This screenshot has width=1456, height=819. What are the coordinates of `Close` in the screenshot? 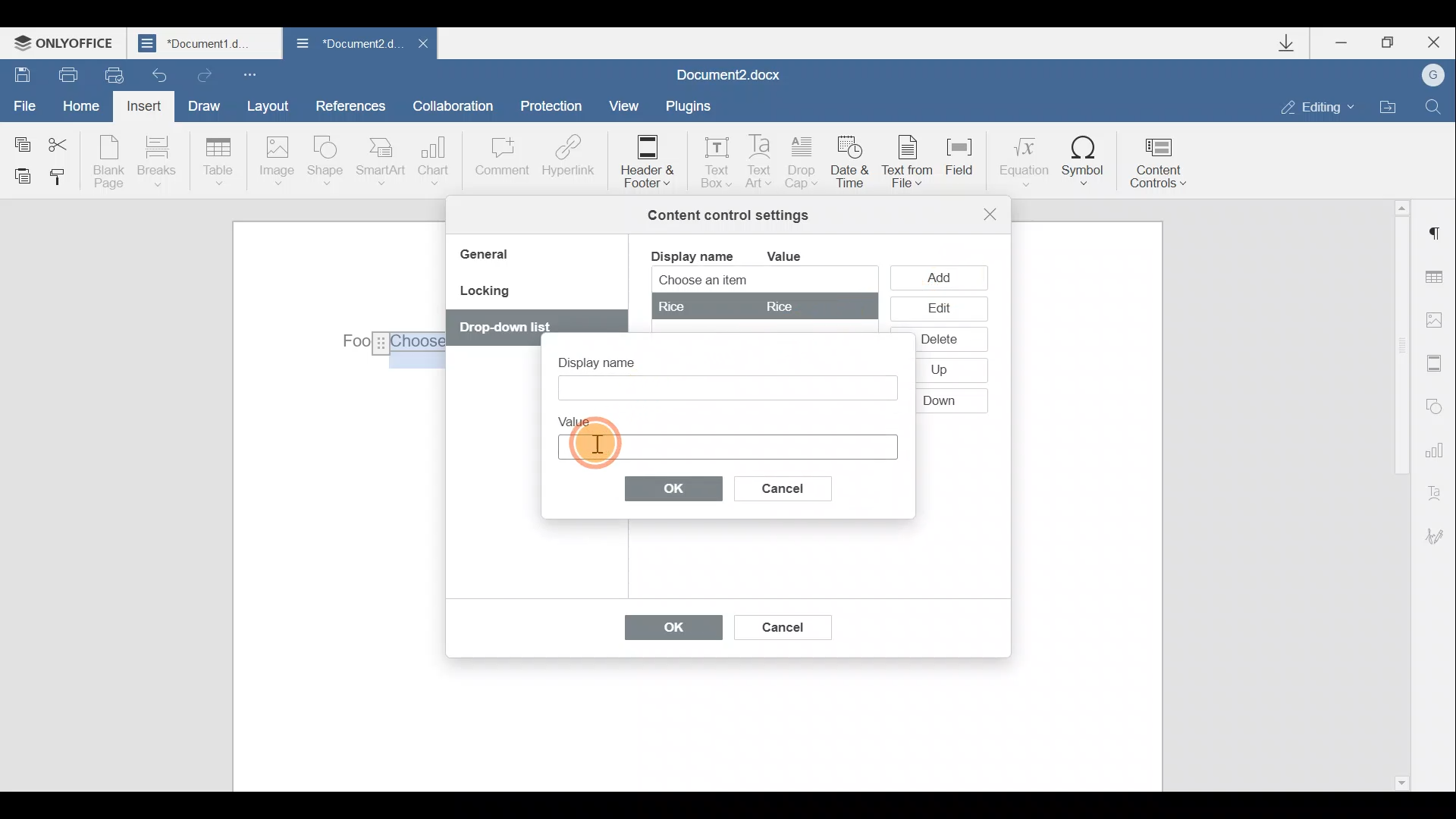 It's located at (422, 48).